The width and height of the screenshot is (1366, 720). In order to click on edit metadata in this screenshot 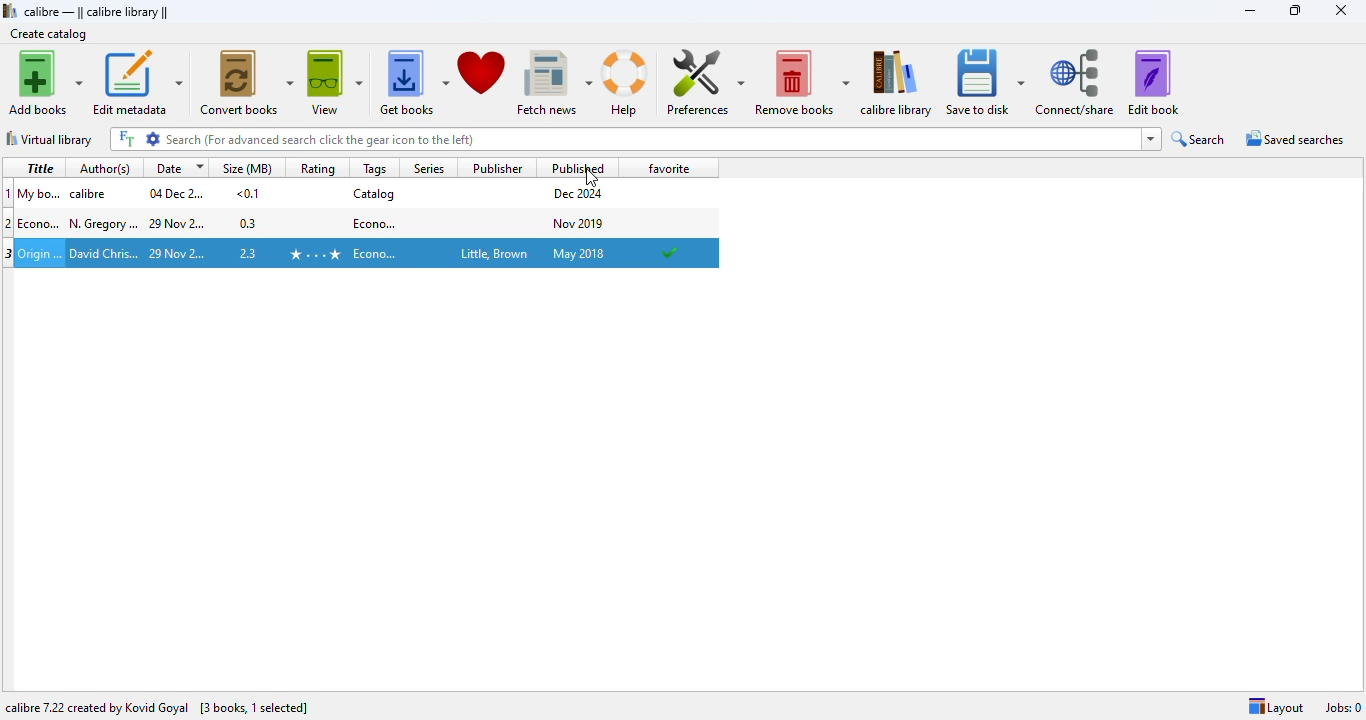, I will do `click(139, 84)`.